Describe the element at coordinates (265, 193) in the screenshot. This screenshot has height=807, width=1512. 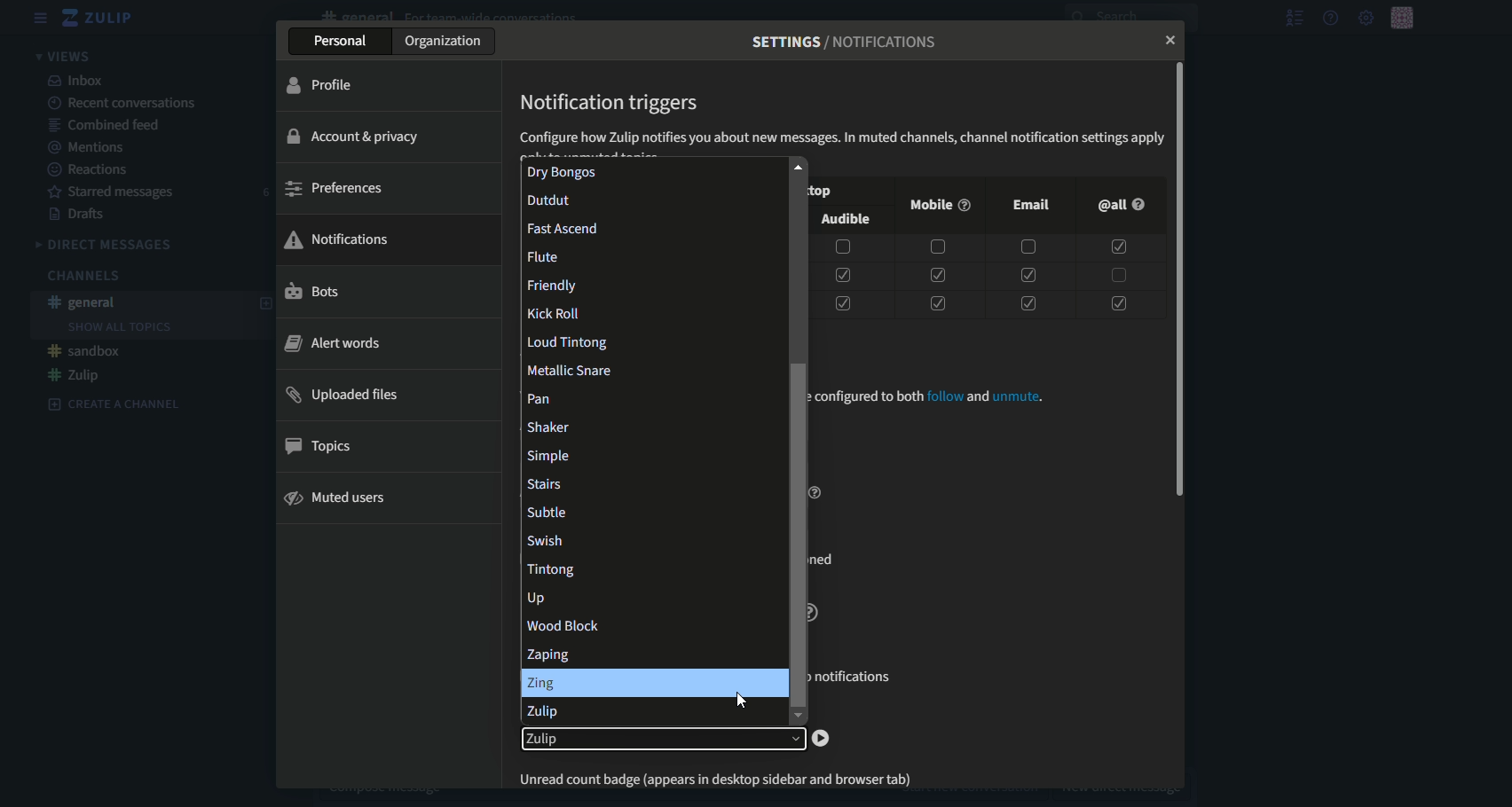
I see `number` at that location.